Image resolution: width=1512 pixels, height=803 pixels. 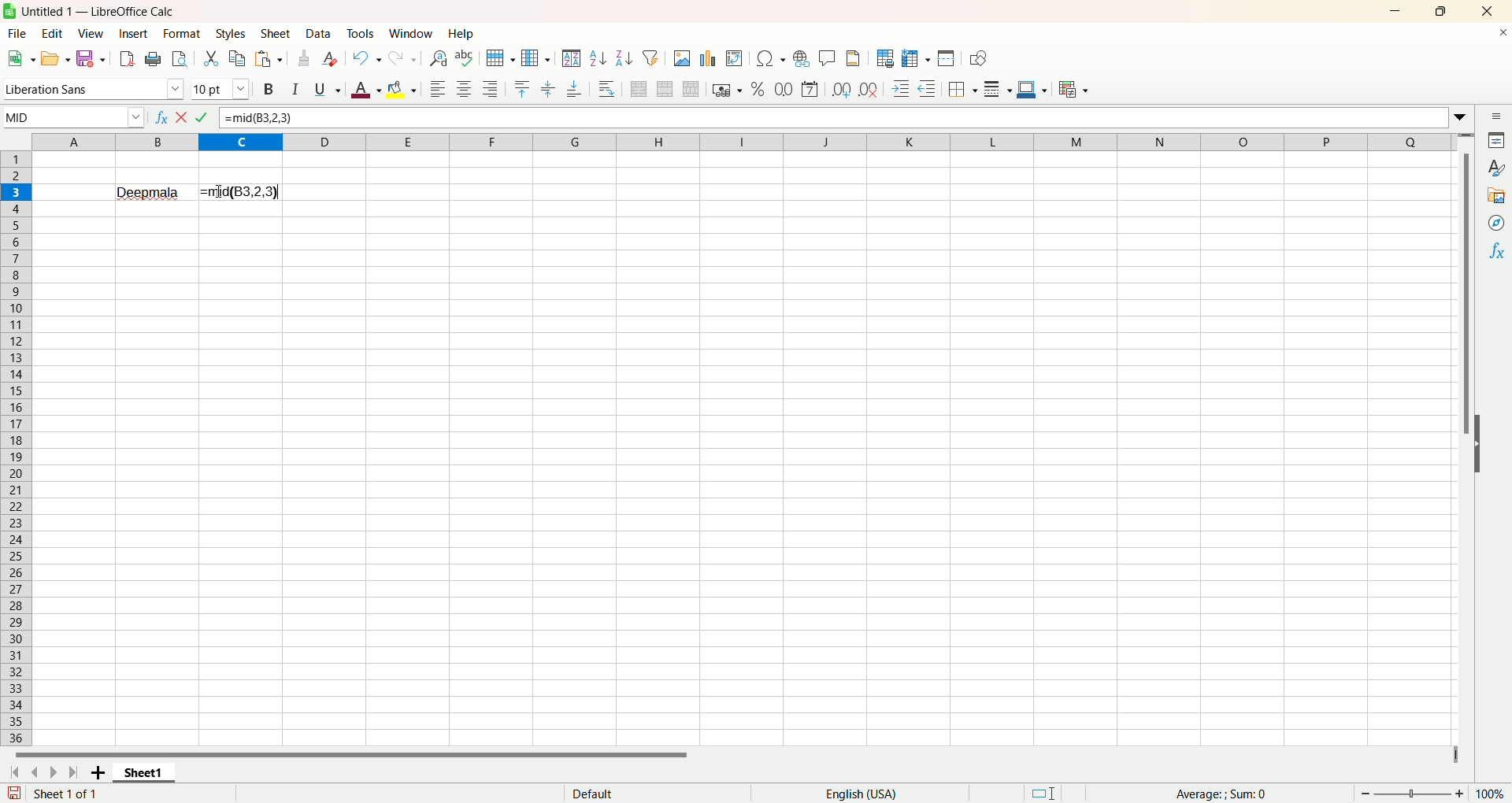 I want to click on zoom out, so click(x=1366, y=793).